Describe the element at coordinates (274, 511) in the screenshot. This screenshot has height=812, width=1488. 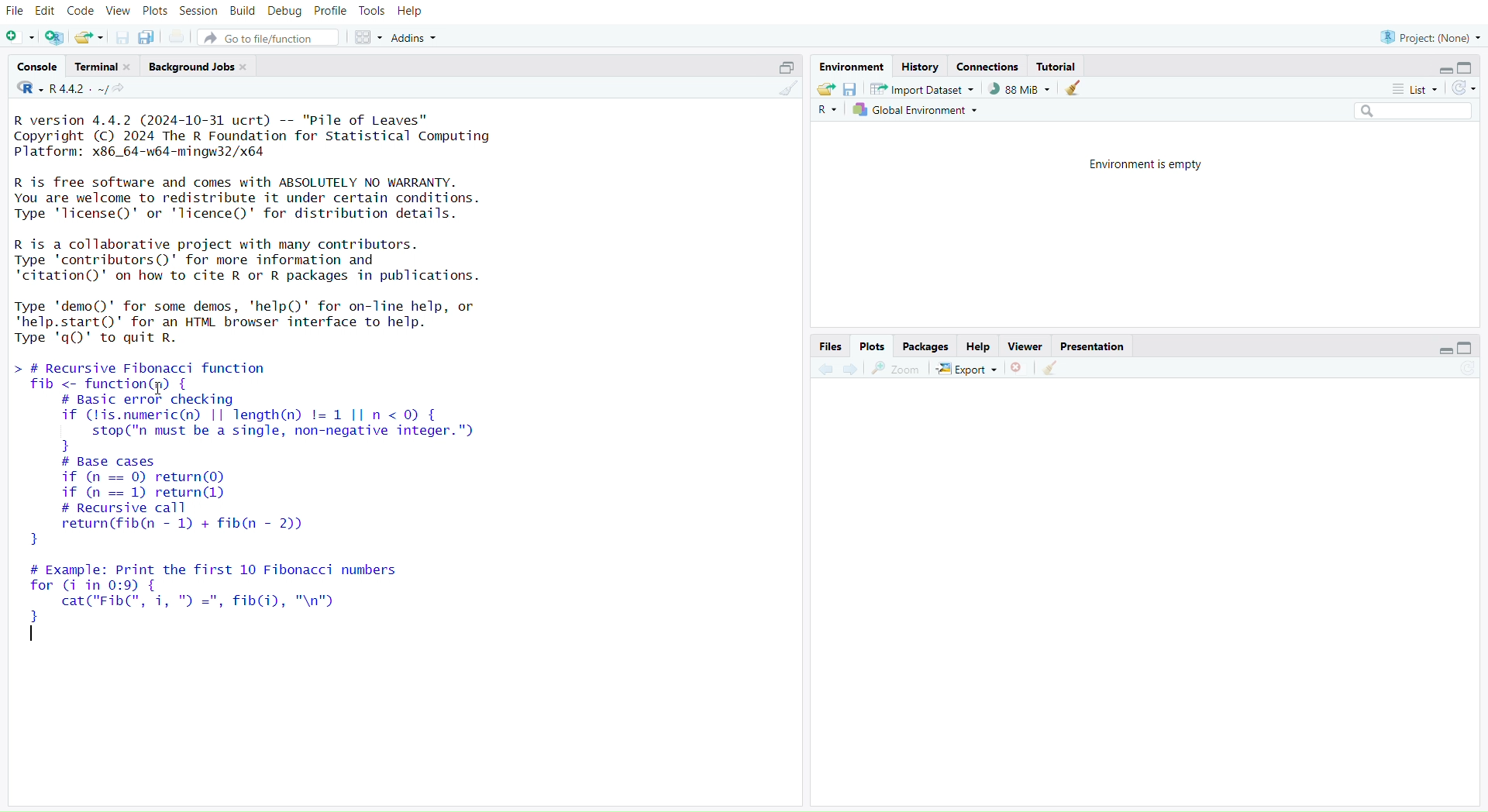
I see `> # Recursive Fibonacci function fib <- function(p) {# Basic error checking if (! is.numeric(n) || length) t= 1 I n <0) {stop("n must be a single, non-negative integer.")¥# Base cases if (n == 0) return(0)if (n == 1) return(l)# Recursive call return(fib(n - 1) + fib(n - 2))}# Example: Print the first 10 Fibonacci numbers for (i in 0:9) {cat("Fib(", i, " =", fib), "n}` at that location.